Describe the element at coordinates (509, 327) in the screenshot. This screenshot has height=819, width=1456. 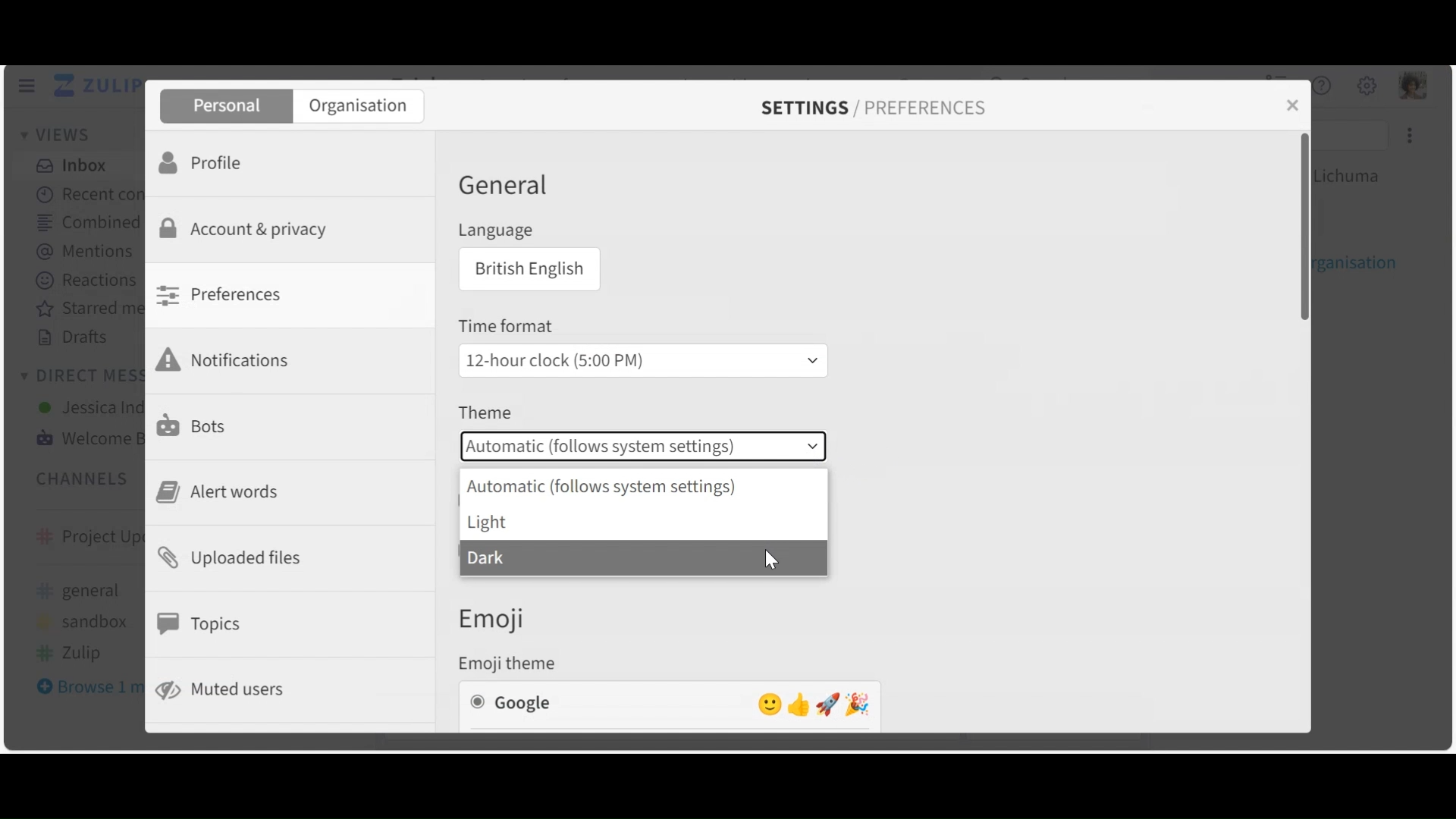
I see `Time Format` at that location.